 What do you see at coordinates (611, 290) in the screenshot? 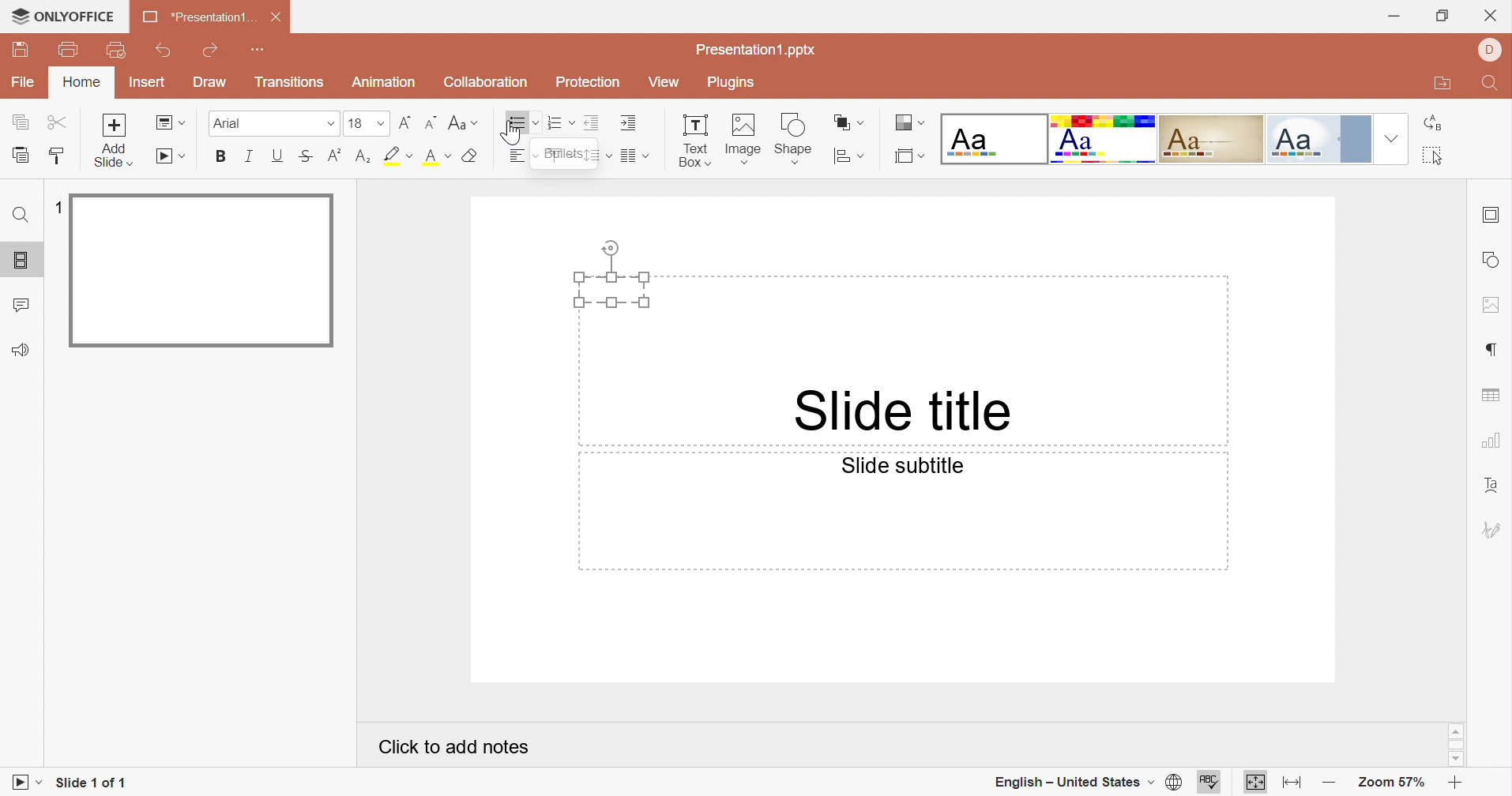
I see `Text Box` at bounding box center [611, 290].